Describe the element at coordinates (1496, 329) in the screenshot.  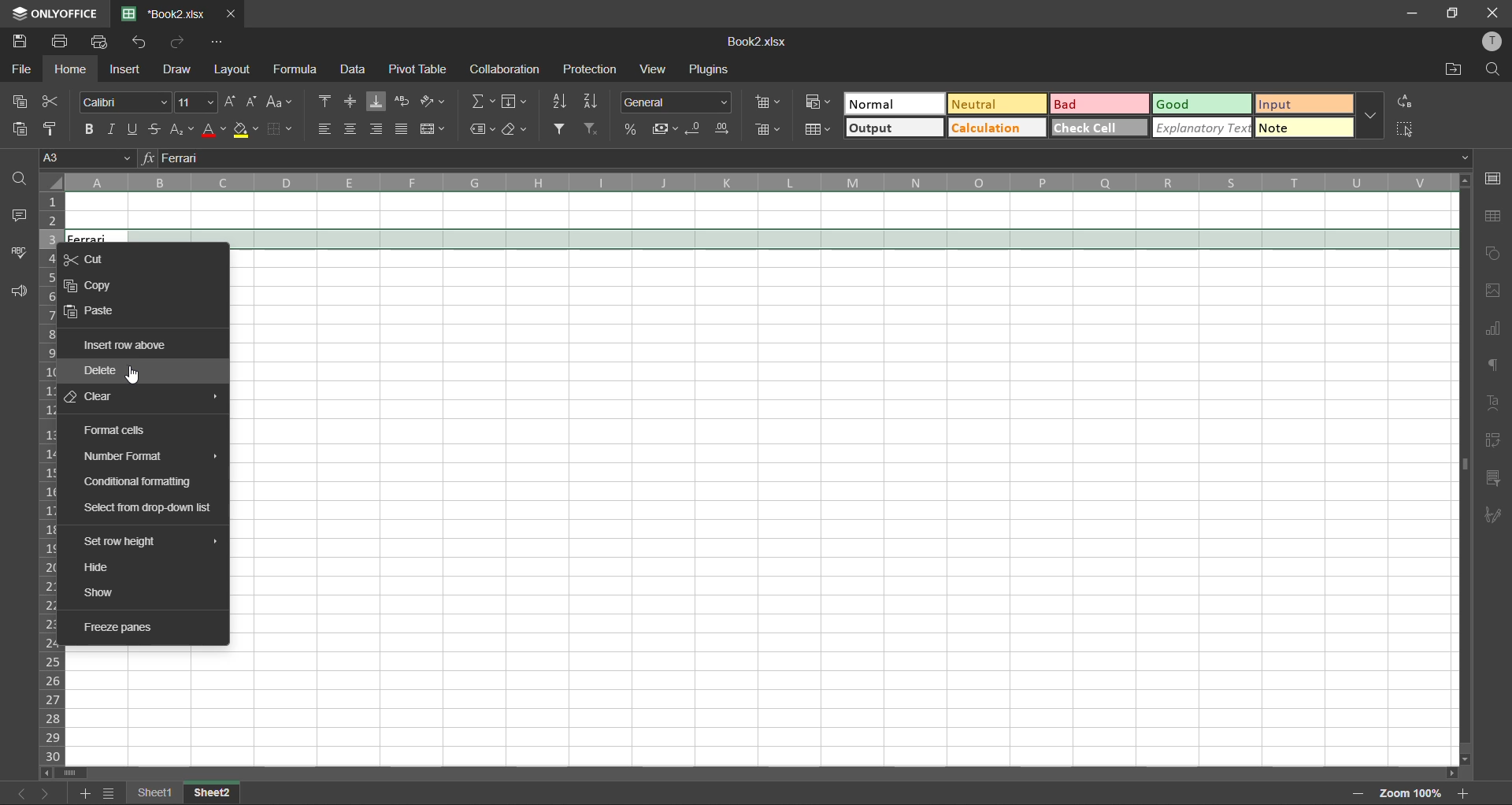
I see `charts` at that location.